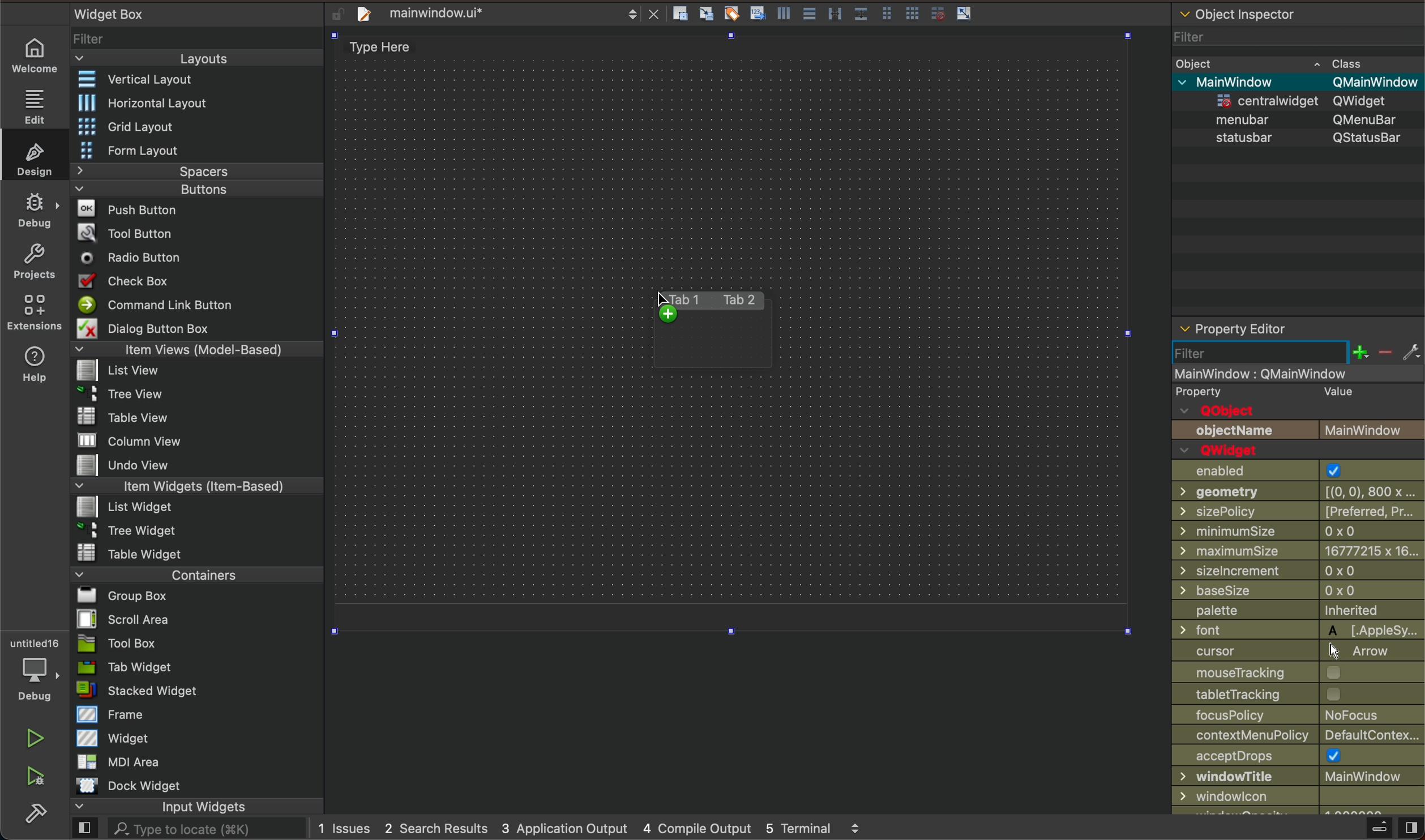  Describe the element at coordinates (37, 362) in the screenshot. I see `help` at that location.